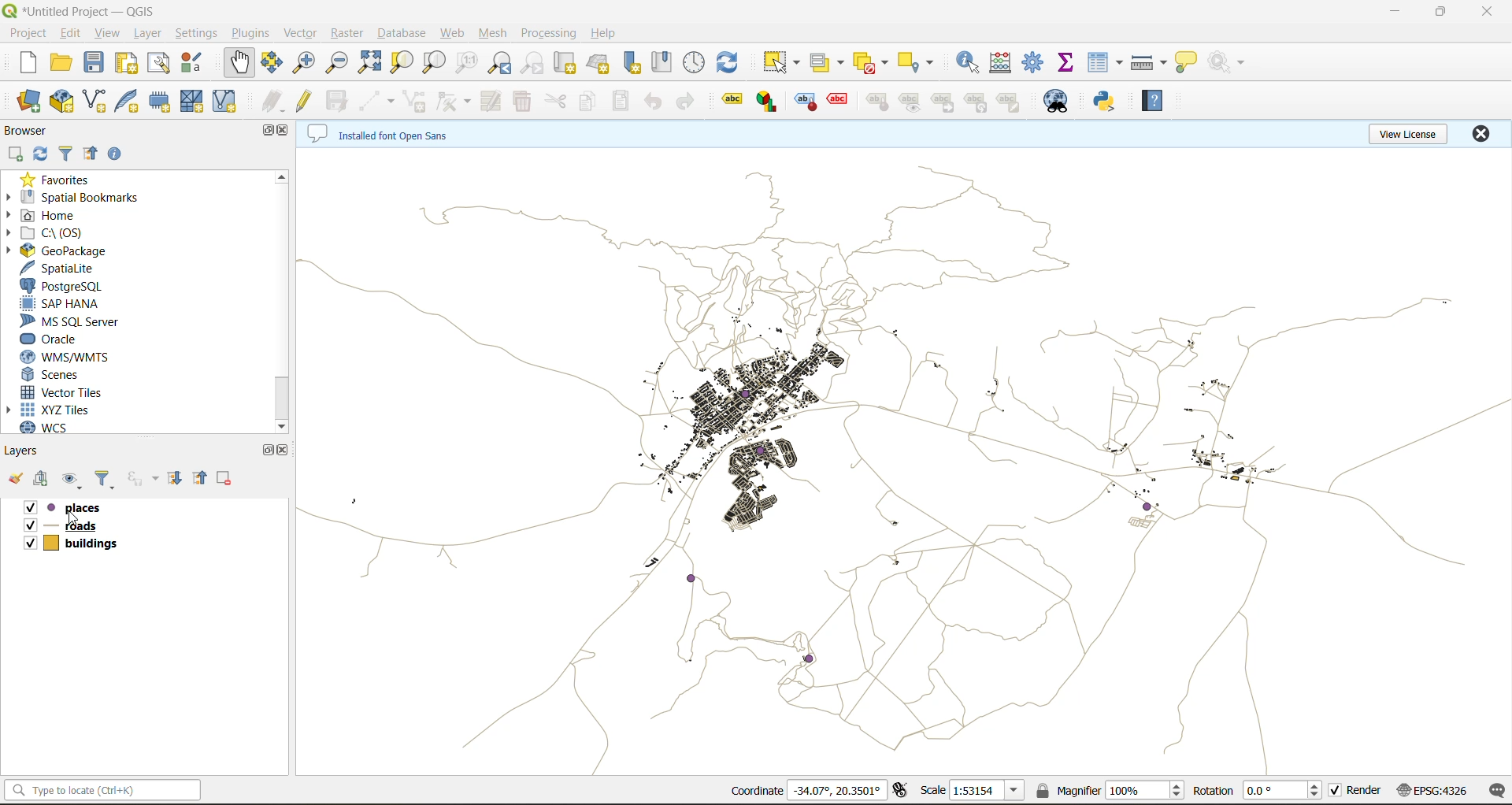 The height and width of the screenshot is (805, 1512). What do you see at coordinates (1108, 102) in the screenshot?
I see `python` at bounding box center [1108, 102].